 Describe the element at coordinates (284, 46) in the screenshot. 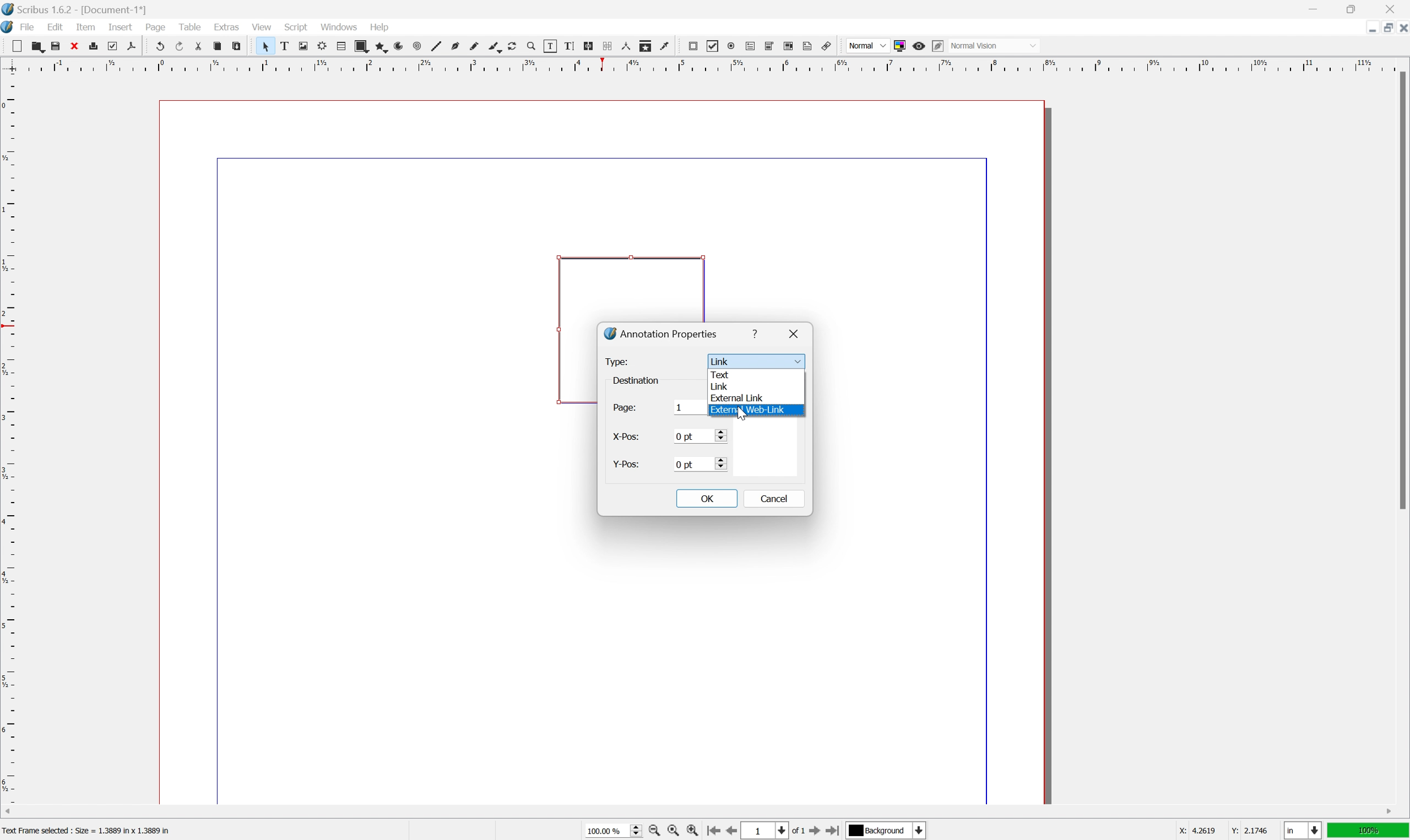

I see `text frame` at that location.